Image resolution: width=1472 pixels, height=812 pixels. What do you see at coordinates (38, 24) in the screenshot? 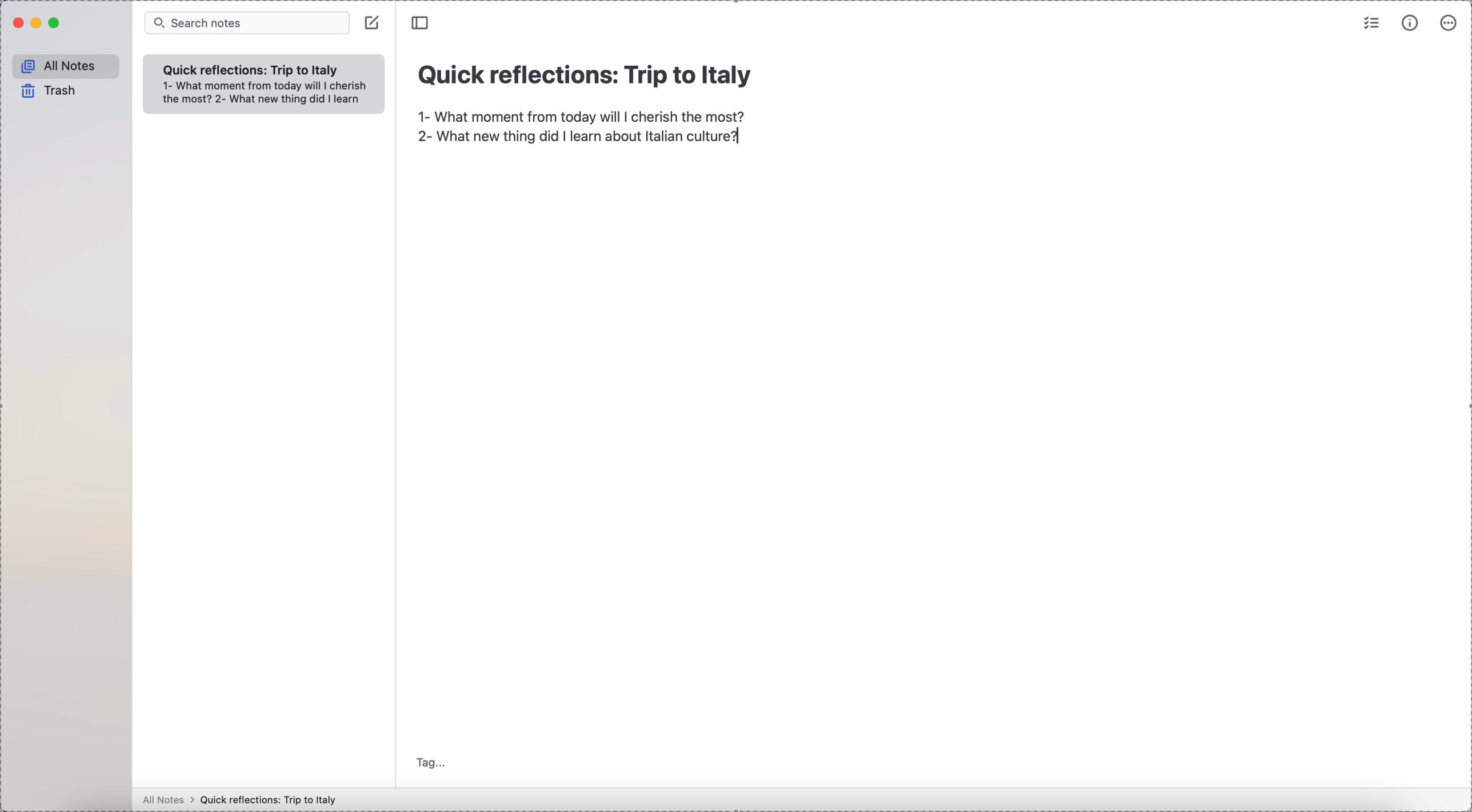
I see `minimize` at bounding box center [38, 24].